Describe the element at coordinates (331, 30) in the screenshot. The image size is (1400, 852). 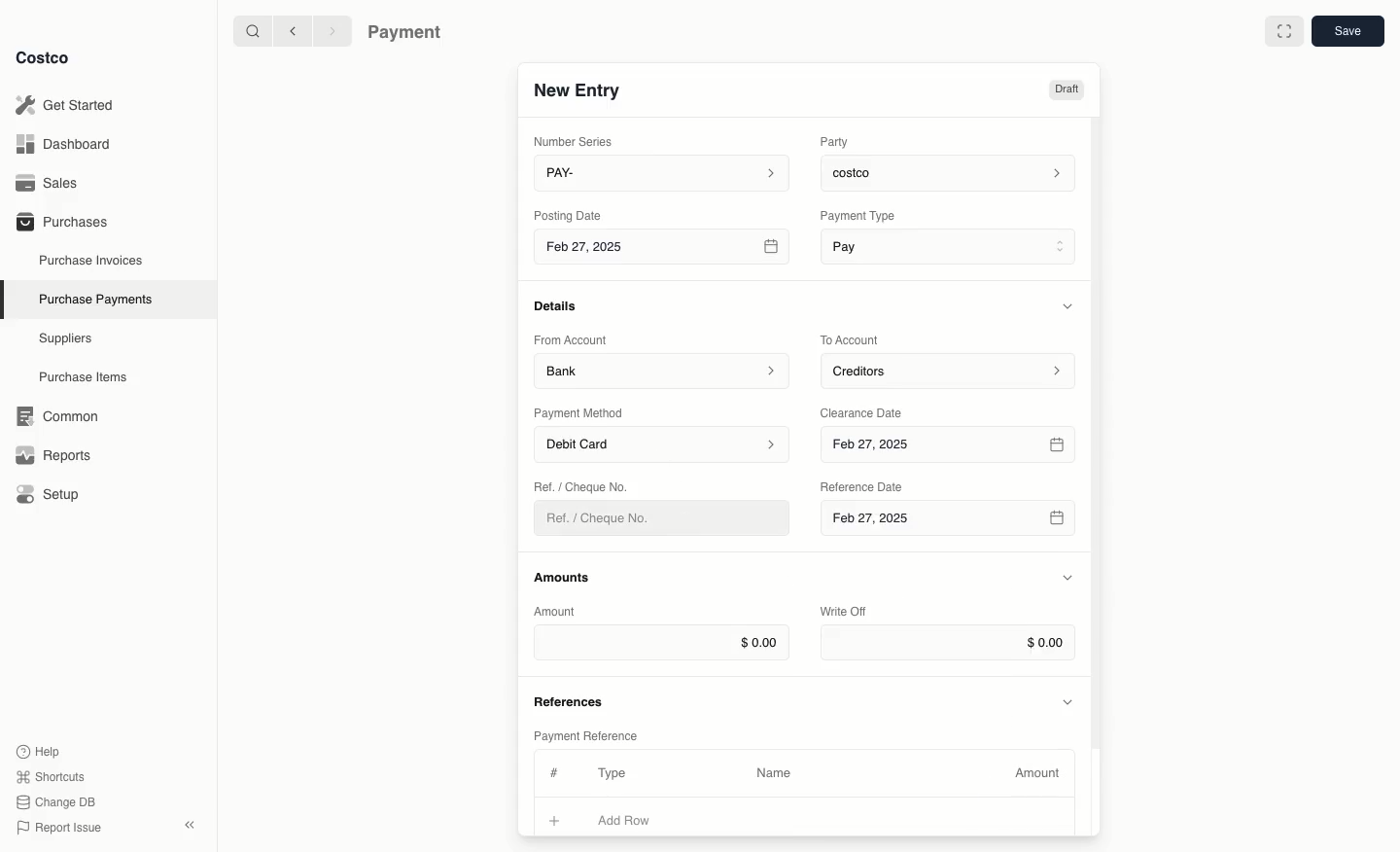
I see `Forward` at that location.